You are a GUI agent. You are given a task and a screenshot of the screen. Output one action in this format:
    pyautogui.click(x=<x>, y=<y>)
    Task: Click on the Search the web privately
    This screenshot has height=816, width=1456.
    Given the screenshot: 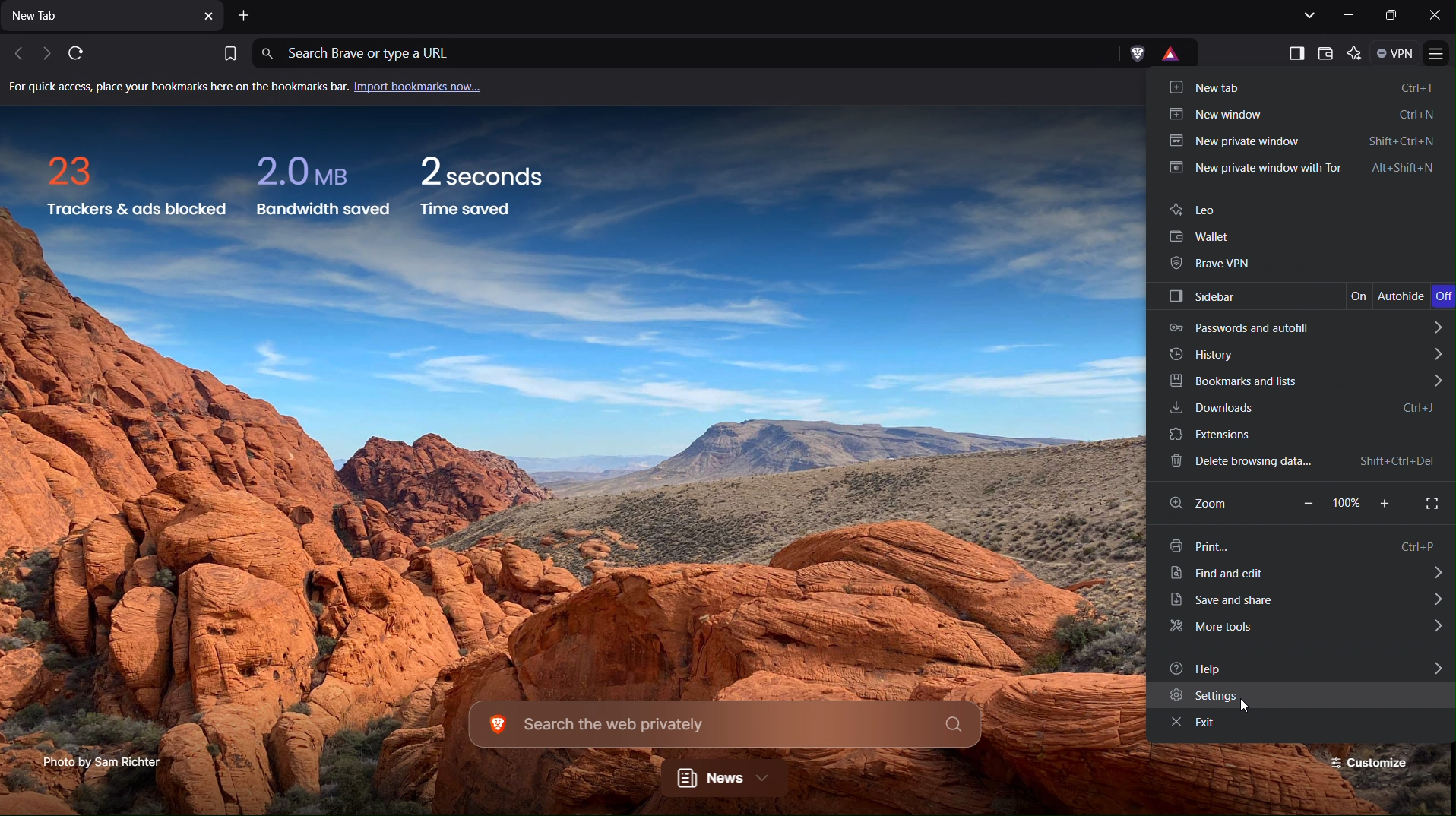 What is the action you would take?
    pyautogui.click(x=725, y=723)
    